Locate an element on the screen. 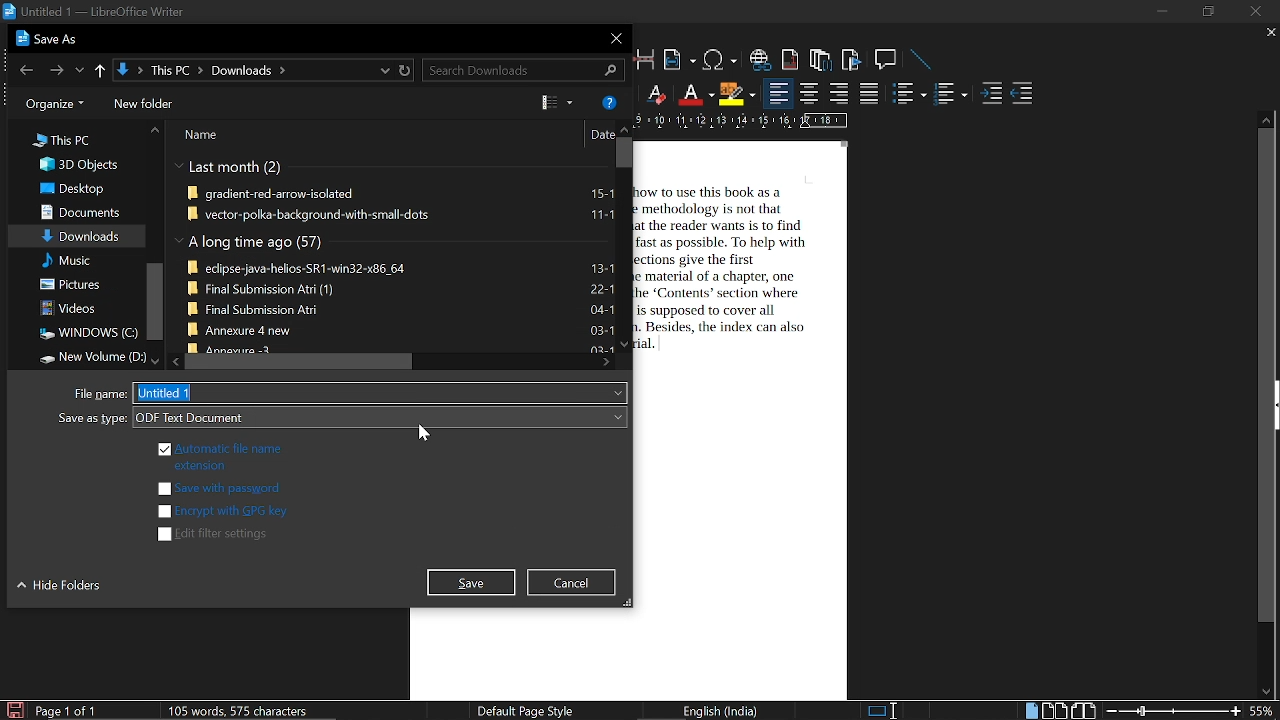  move up is located at coordinates (622, 129).